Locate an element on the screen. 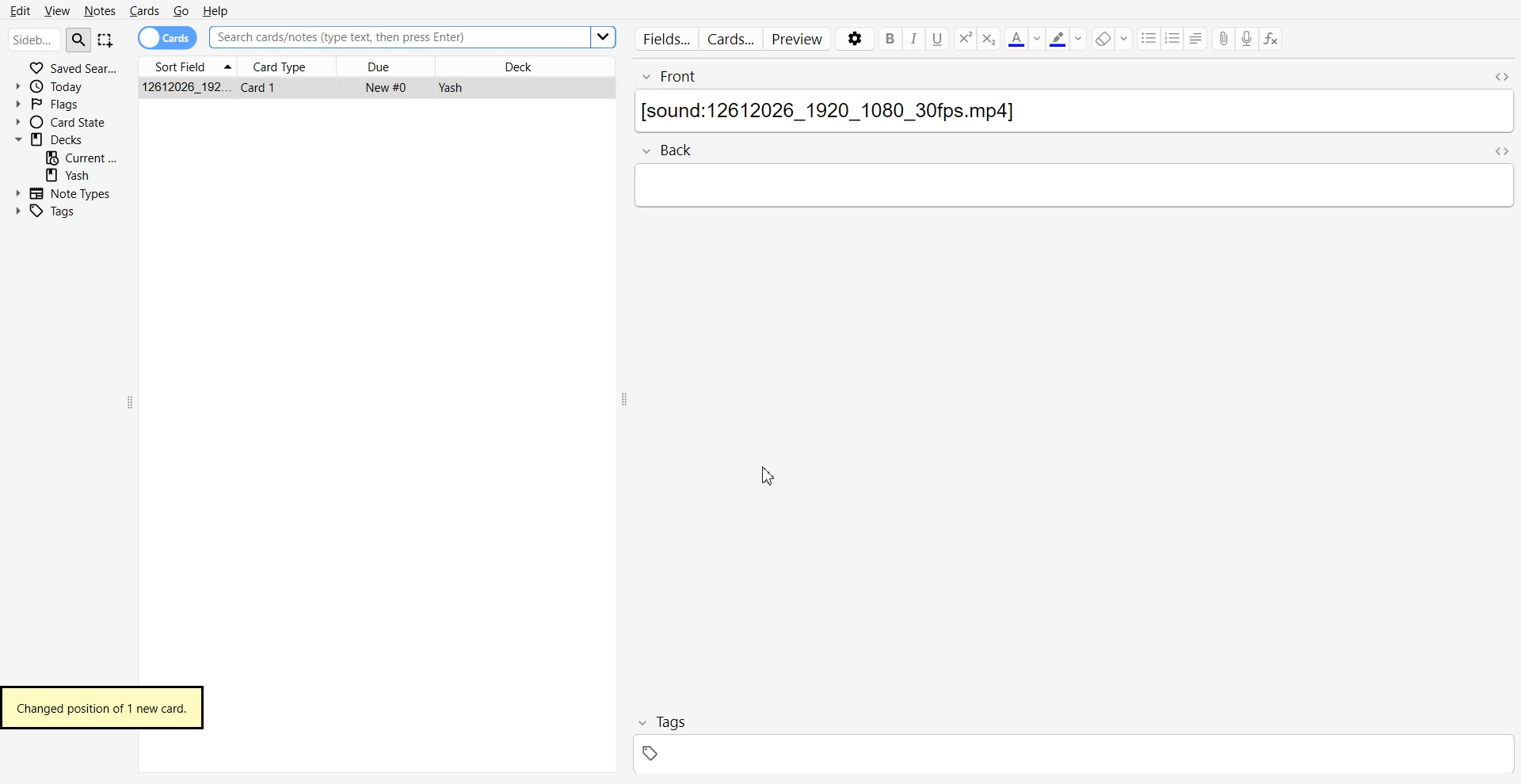 The image size is (1521, 784). Toggle HTML Editor is located at coordinates (1501, 74).